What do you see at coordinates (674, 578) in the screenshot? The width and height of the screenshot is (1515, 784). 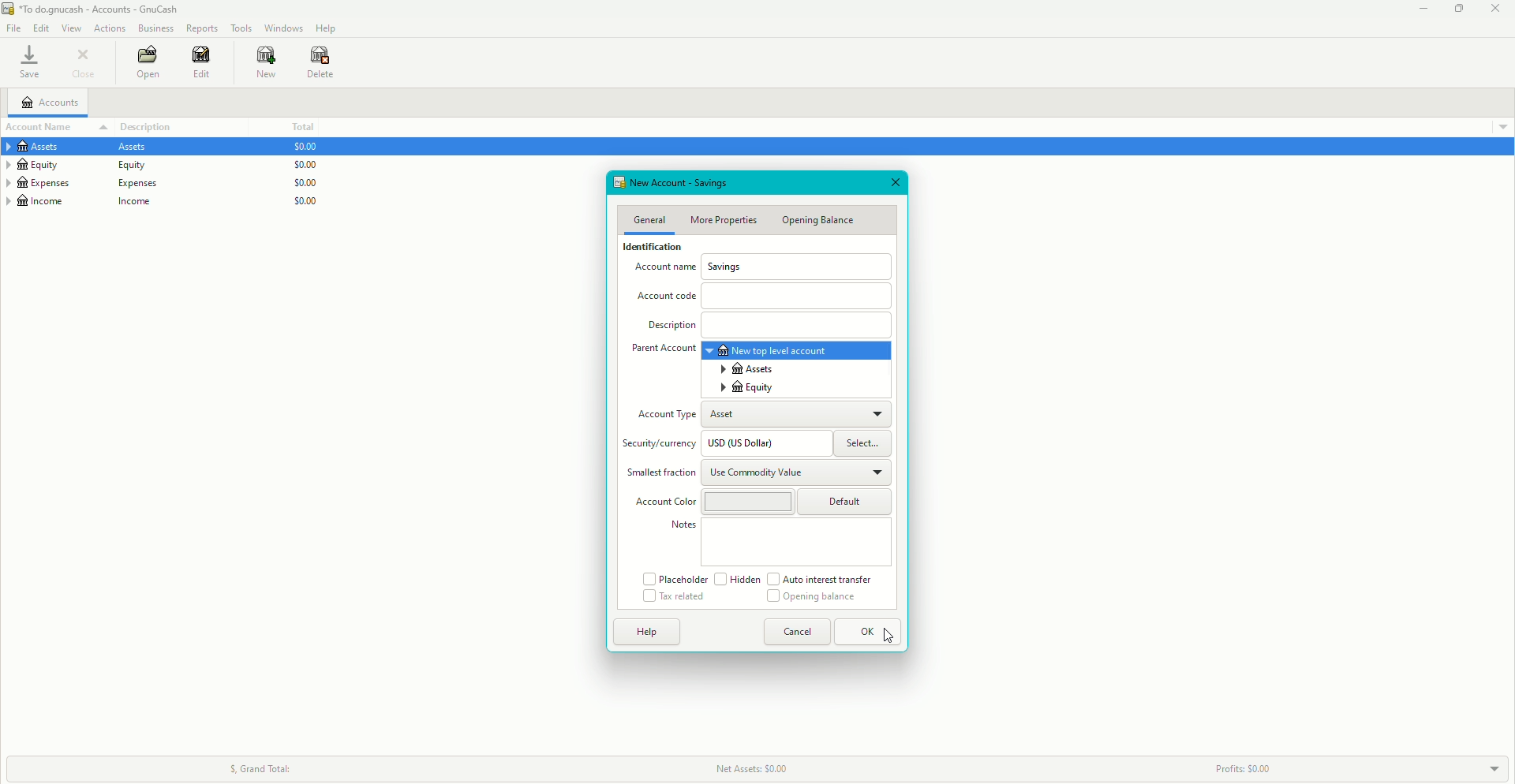 I see `Placeholder` at bounding box center [674, 578].